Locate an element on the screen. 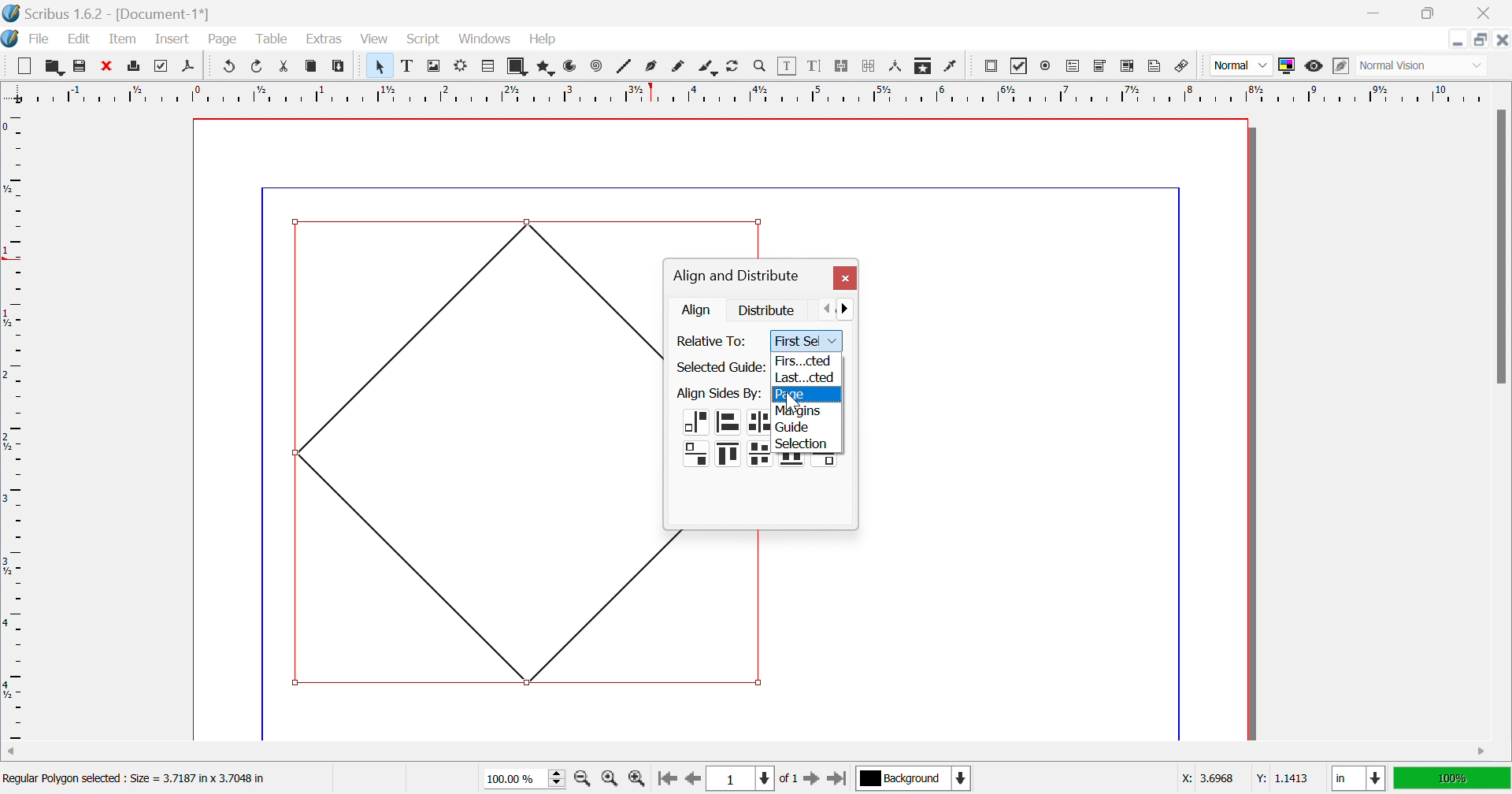 Image resolution: width=1512 pixels, height=794 pixels. Last selected is located at coordinates (804, 377).